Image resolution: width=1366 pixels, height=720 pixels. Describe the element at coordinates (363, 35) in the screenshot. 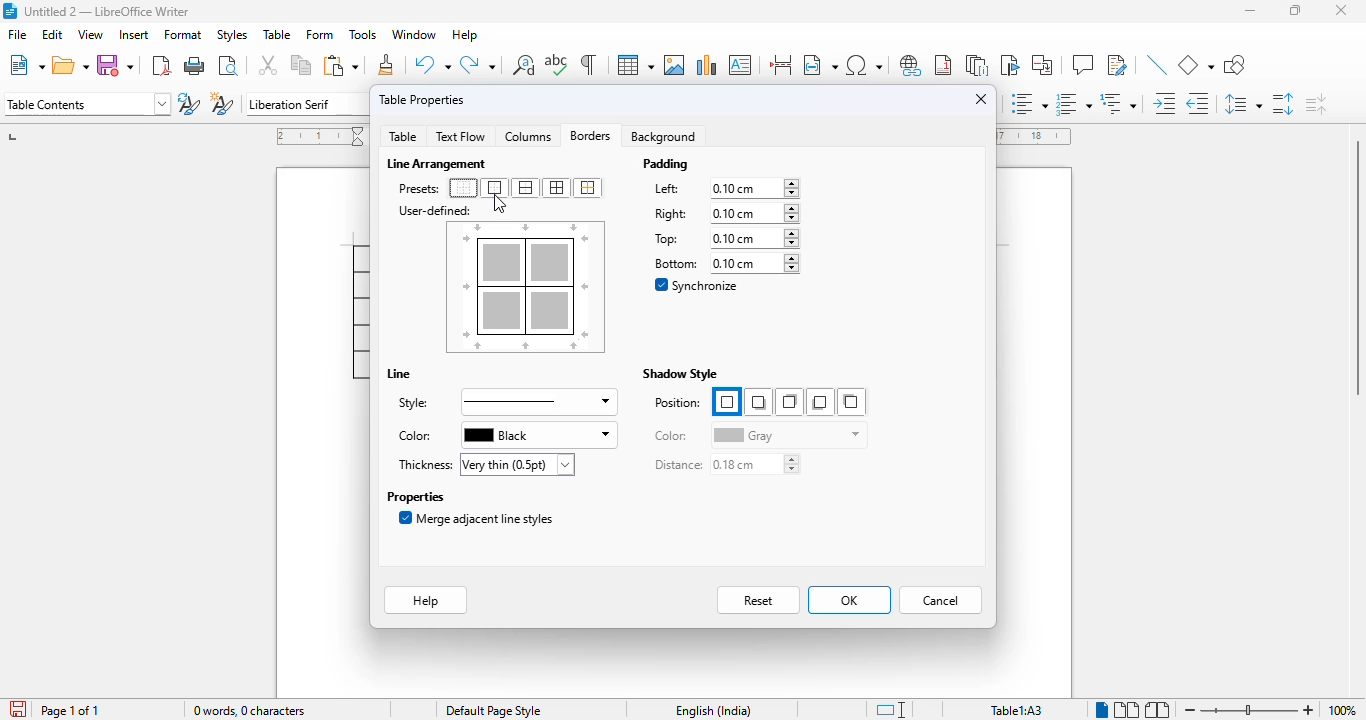

I see `tools` at that location.